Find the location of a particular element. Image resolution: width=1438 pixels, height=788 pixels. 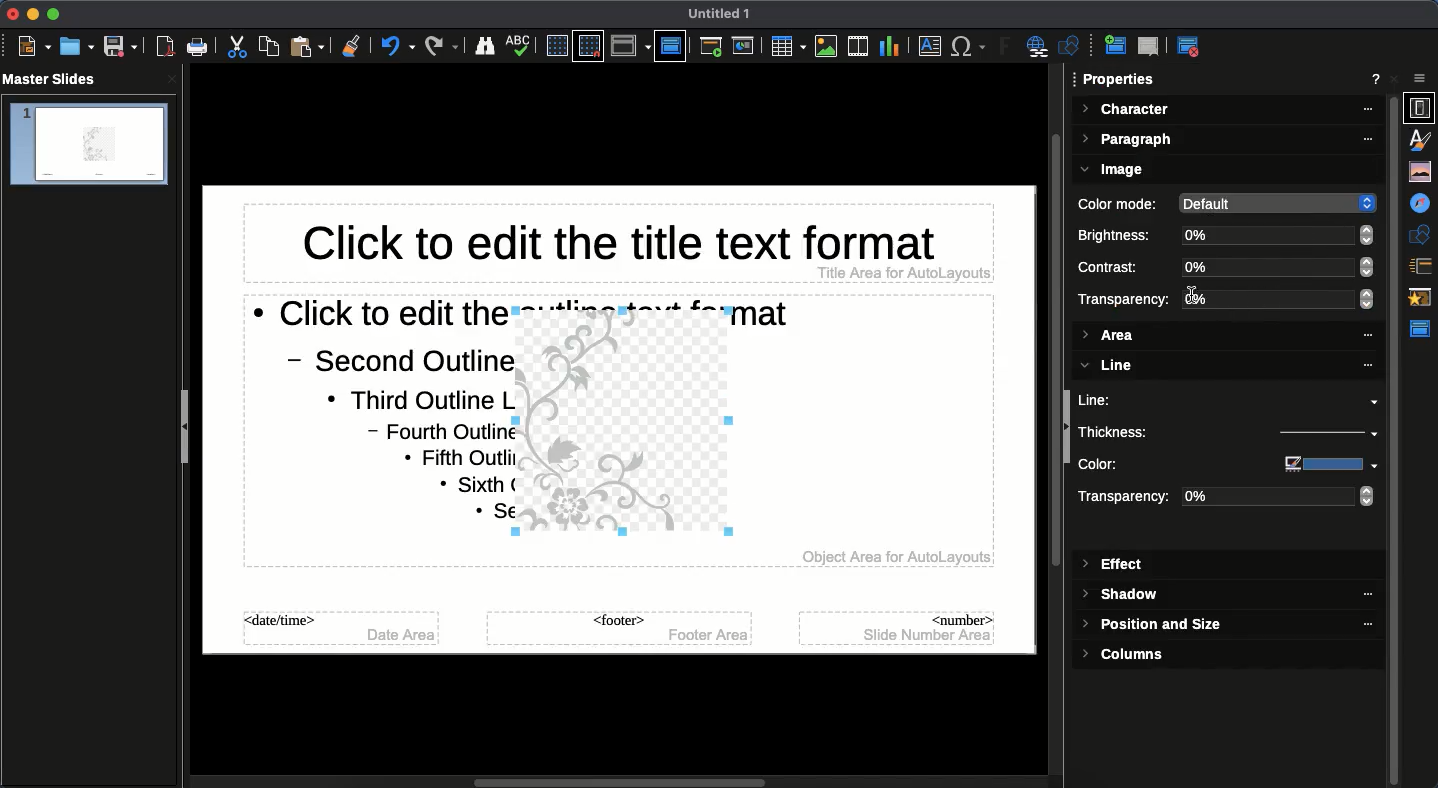

Line is located at coordinates (1225, 366).